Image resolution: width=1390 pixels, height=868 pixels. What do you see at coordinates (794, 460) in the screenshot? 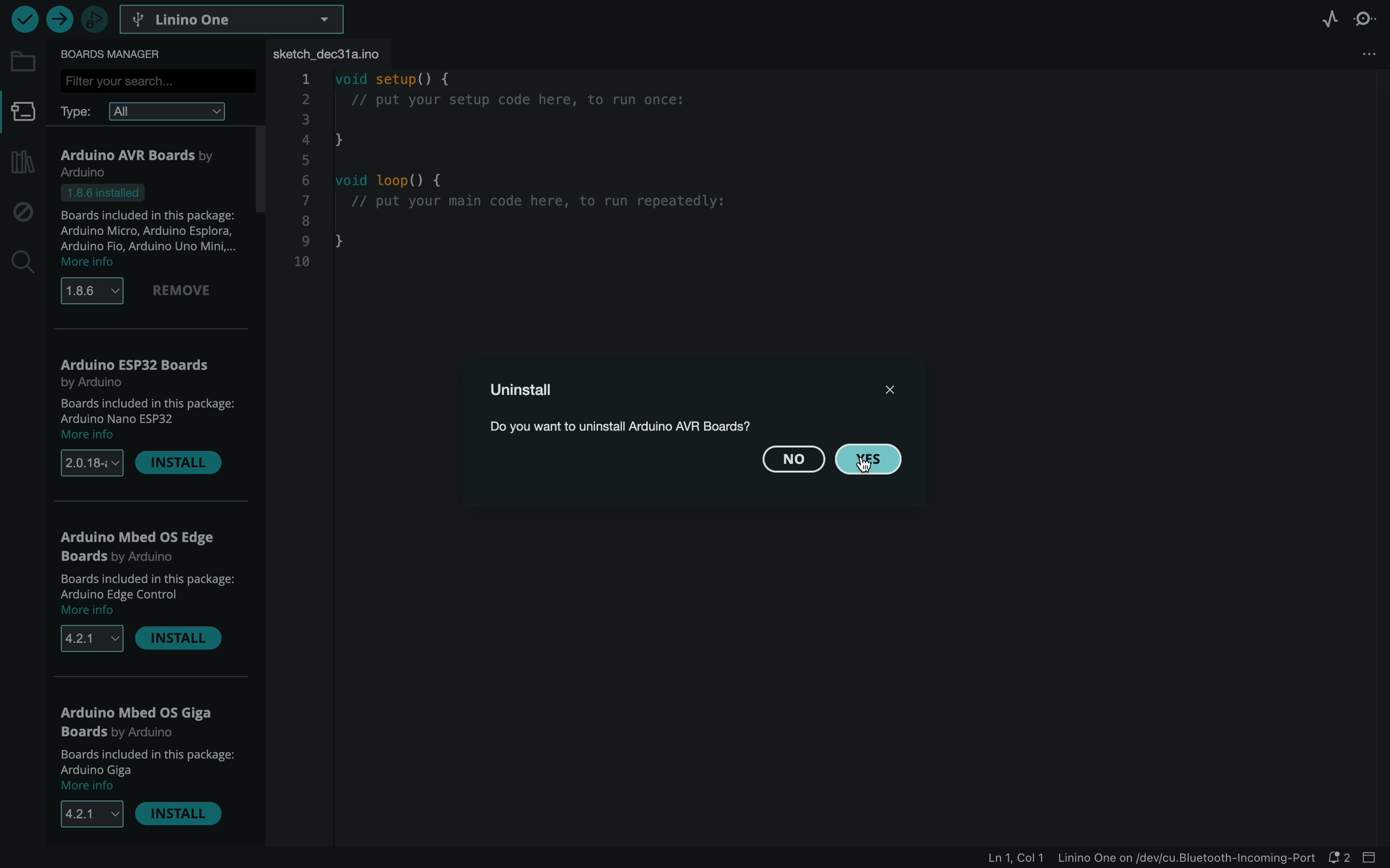
I see `no` at bounding box center [794, 460].